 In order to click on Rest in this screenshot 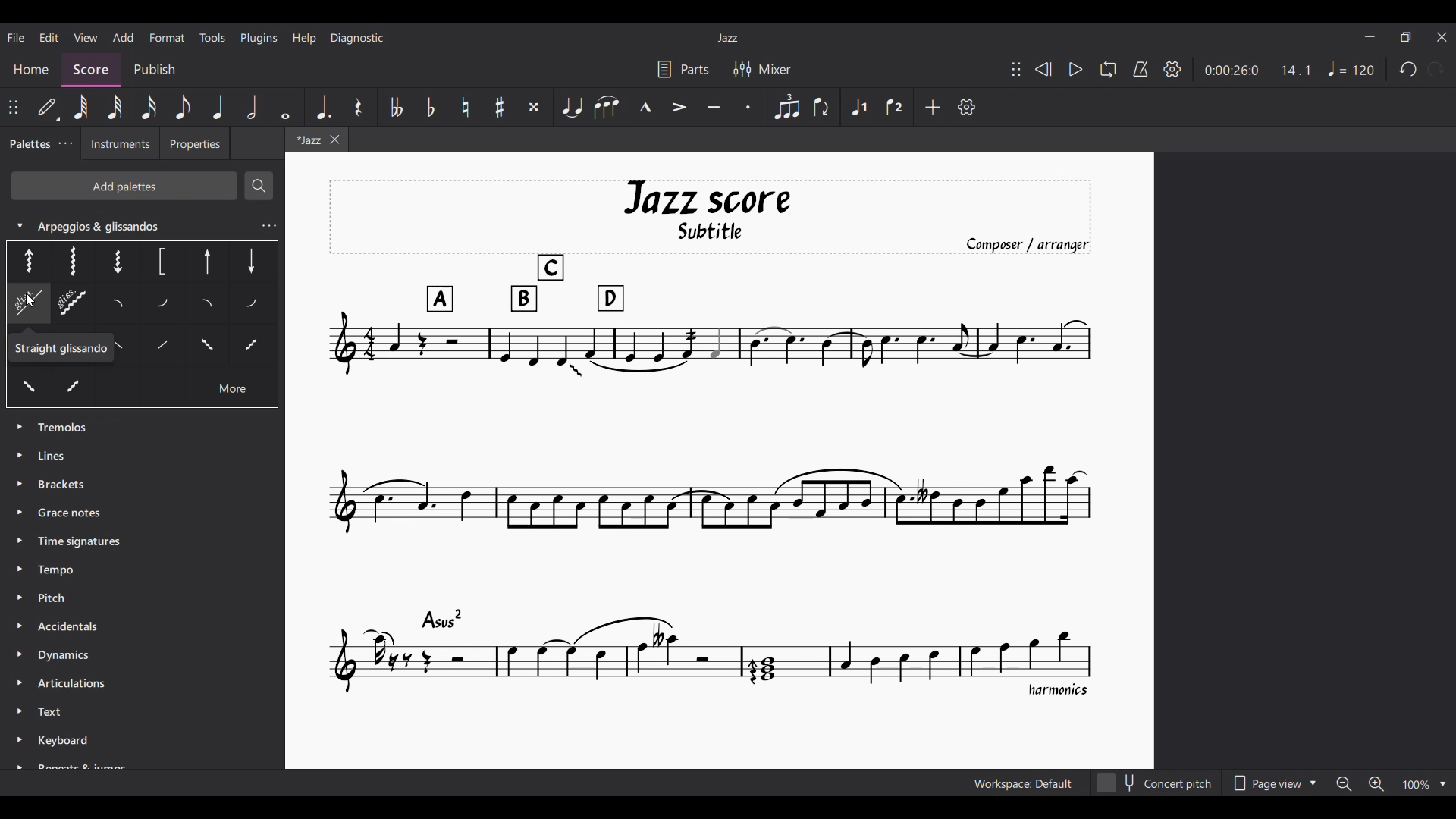, I will do `click(359, 107)`.